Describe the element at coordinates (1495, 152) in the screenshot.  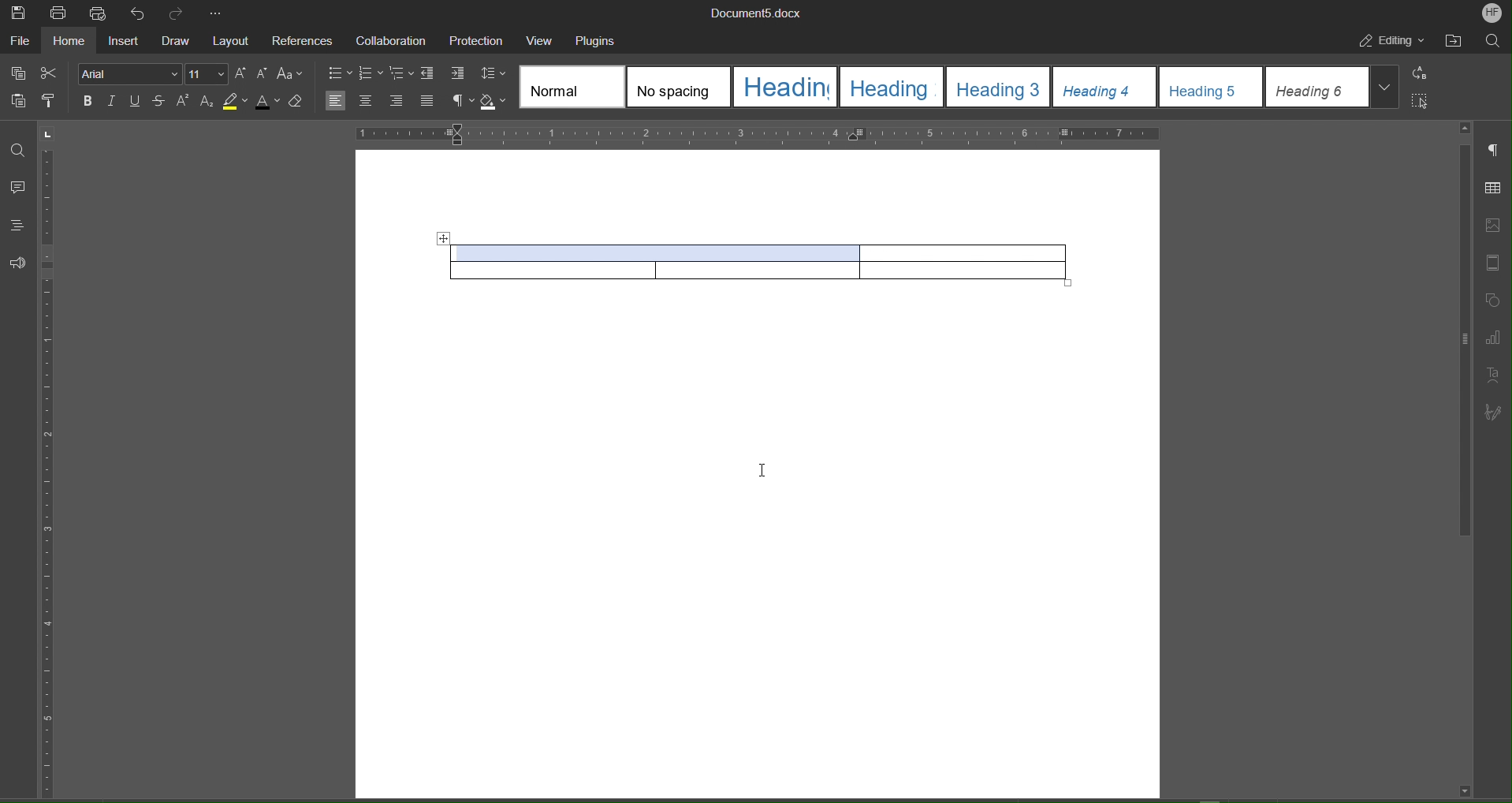
I see `Paragraph Settings` at that location.